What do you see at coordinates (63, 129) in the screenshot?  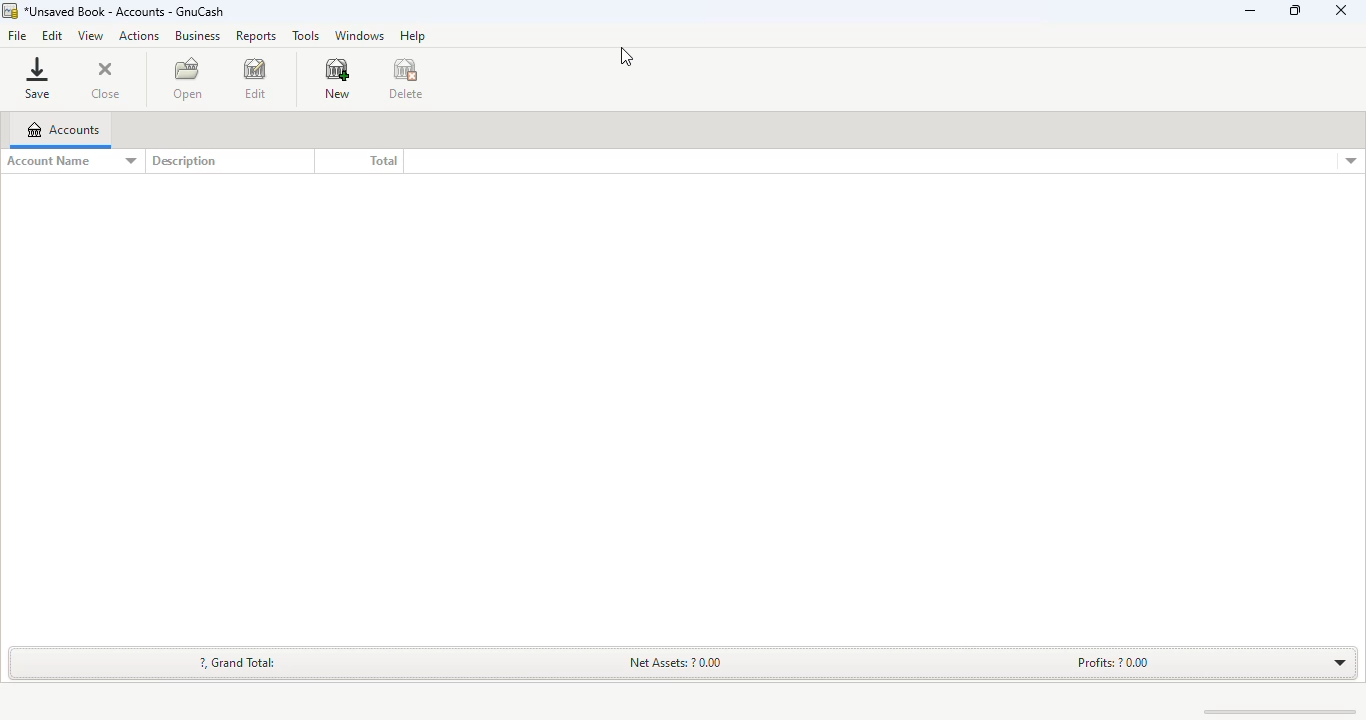 I see `accounts` at bounding box center [63, 129].